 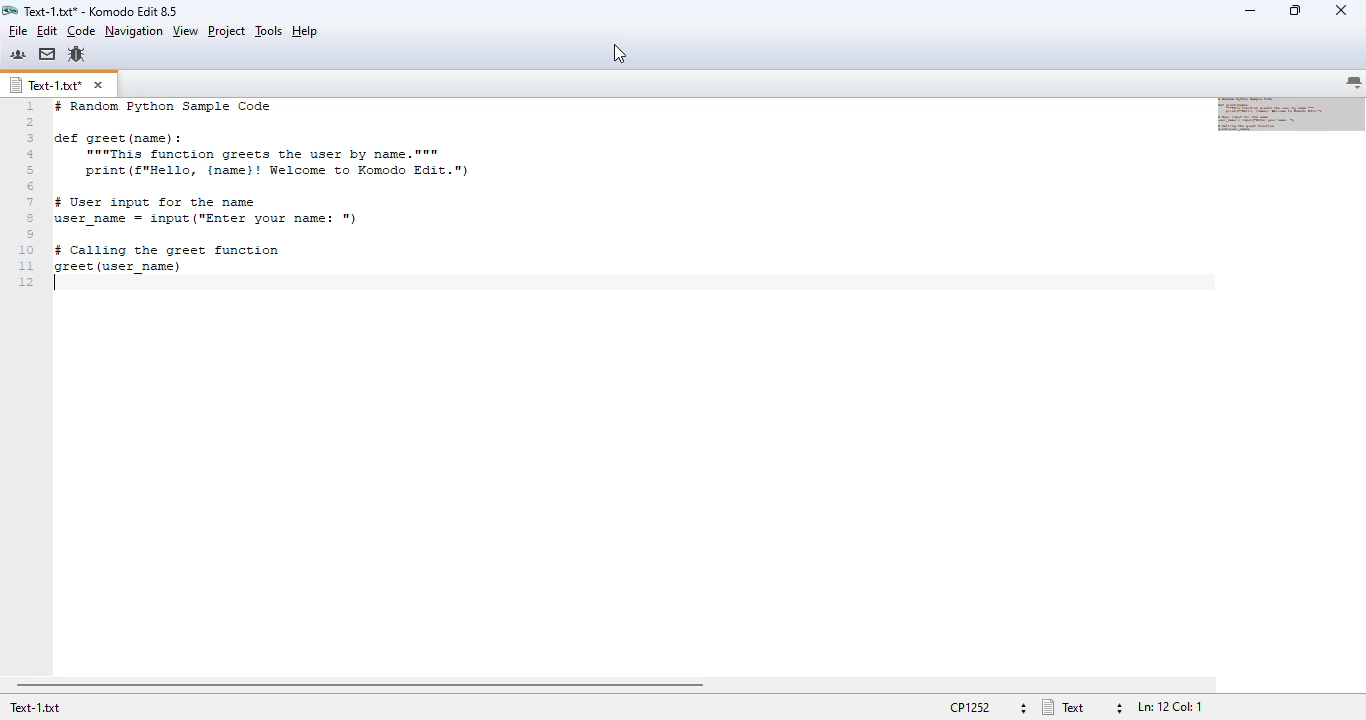 What do you see at coordinates (1354, 82) in the screenshot?
I see `list all tabs` at bounding box center [1354, 82].